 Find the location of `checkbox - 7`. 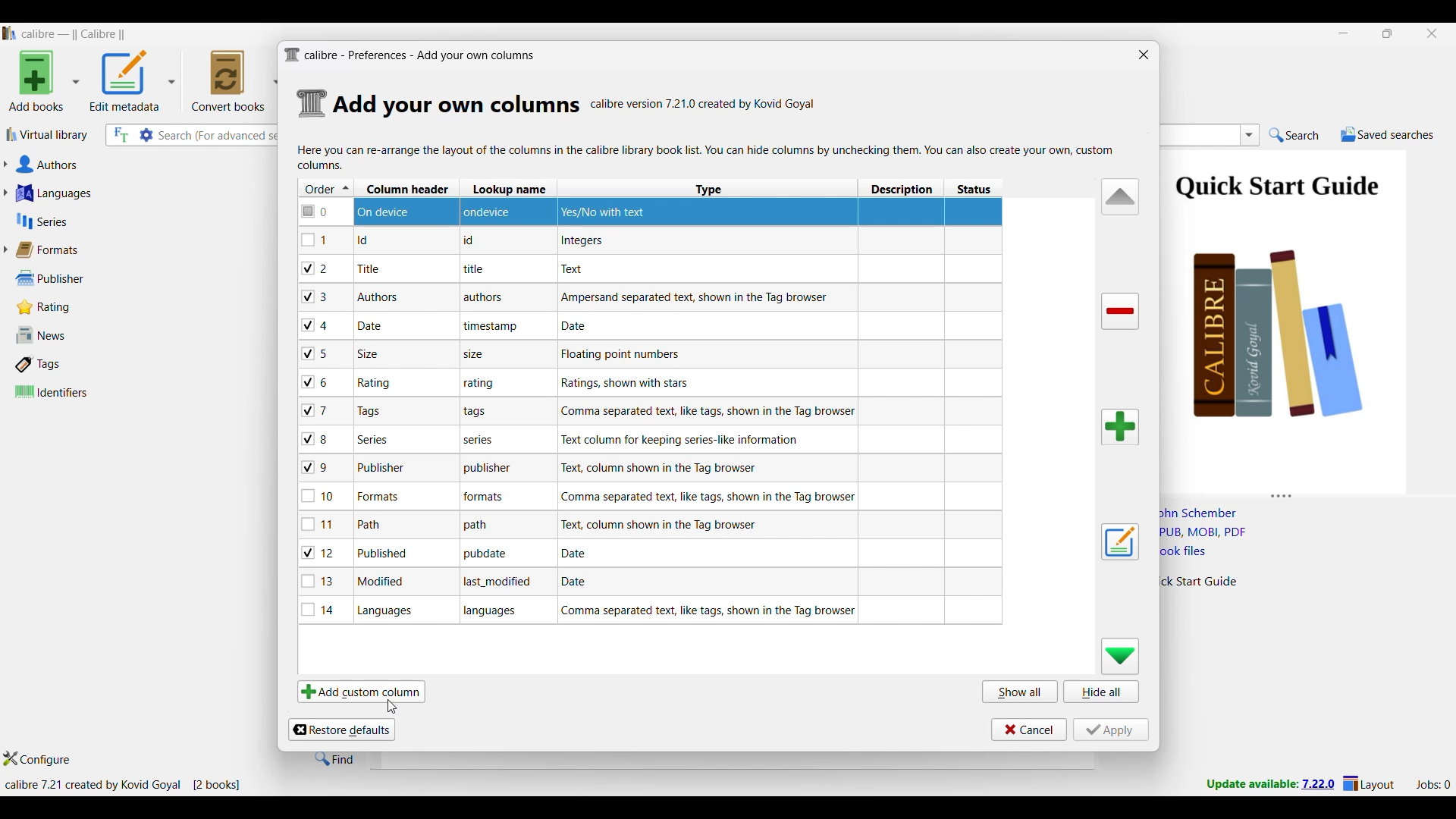

checkbox - 7 is located at coordinates (317, 410).